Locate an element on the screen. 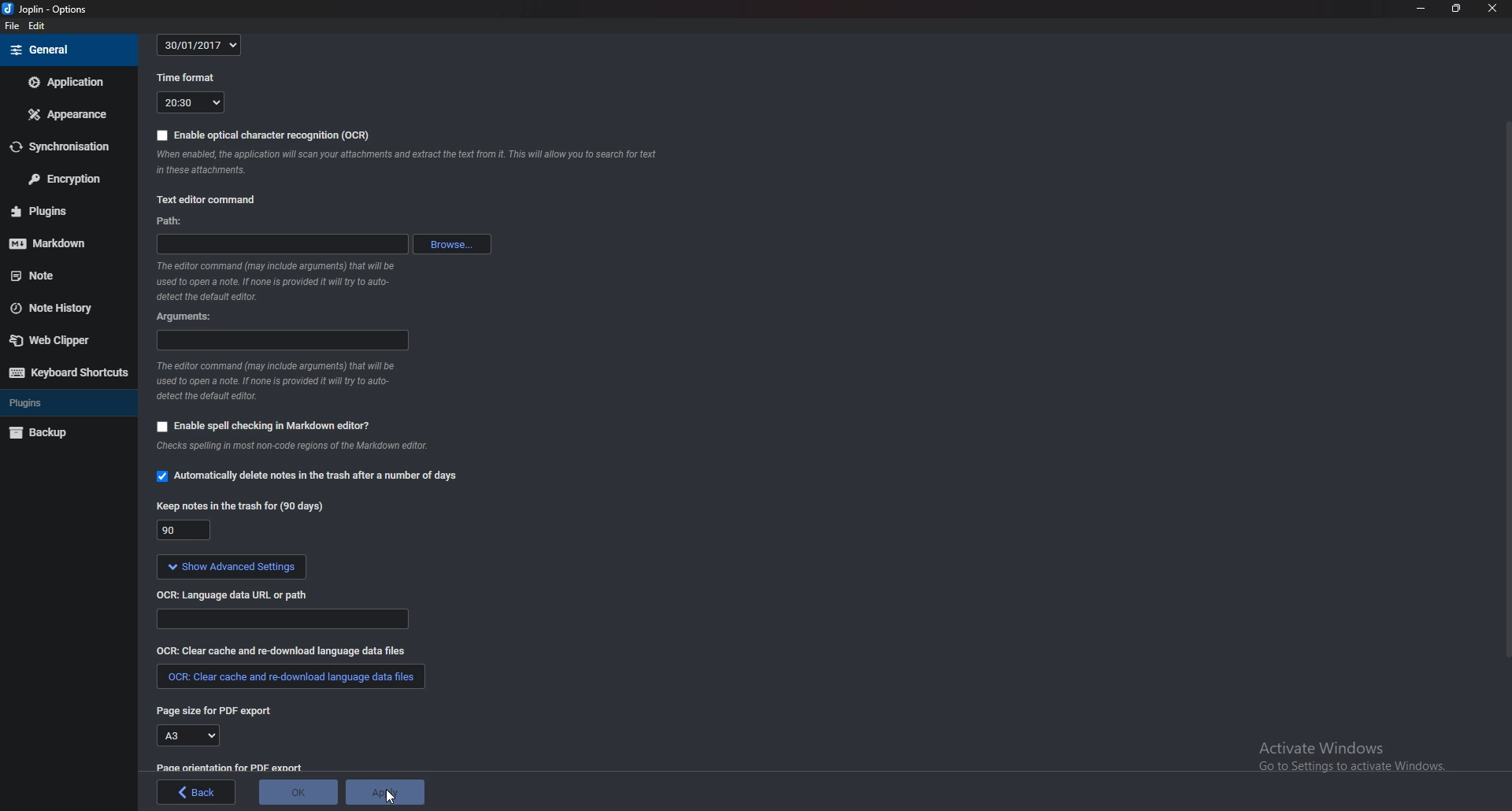 The width and height of the screenshot is (1512, 811). Web clipper is located at coordinates (59, 340).